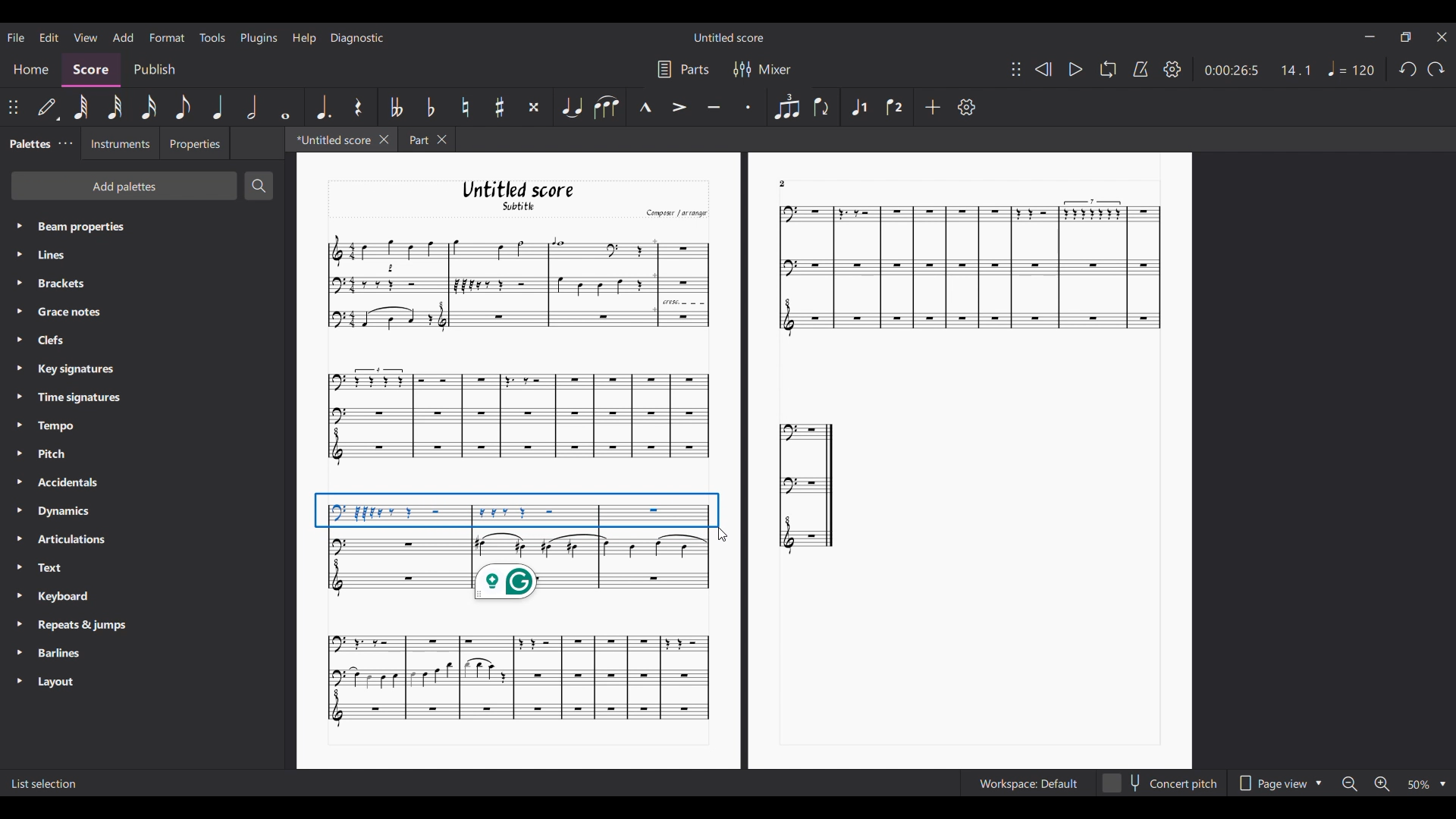 The image size is (1456, 819). I want to click on > Keyboard, so click(58, 598).